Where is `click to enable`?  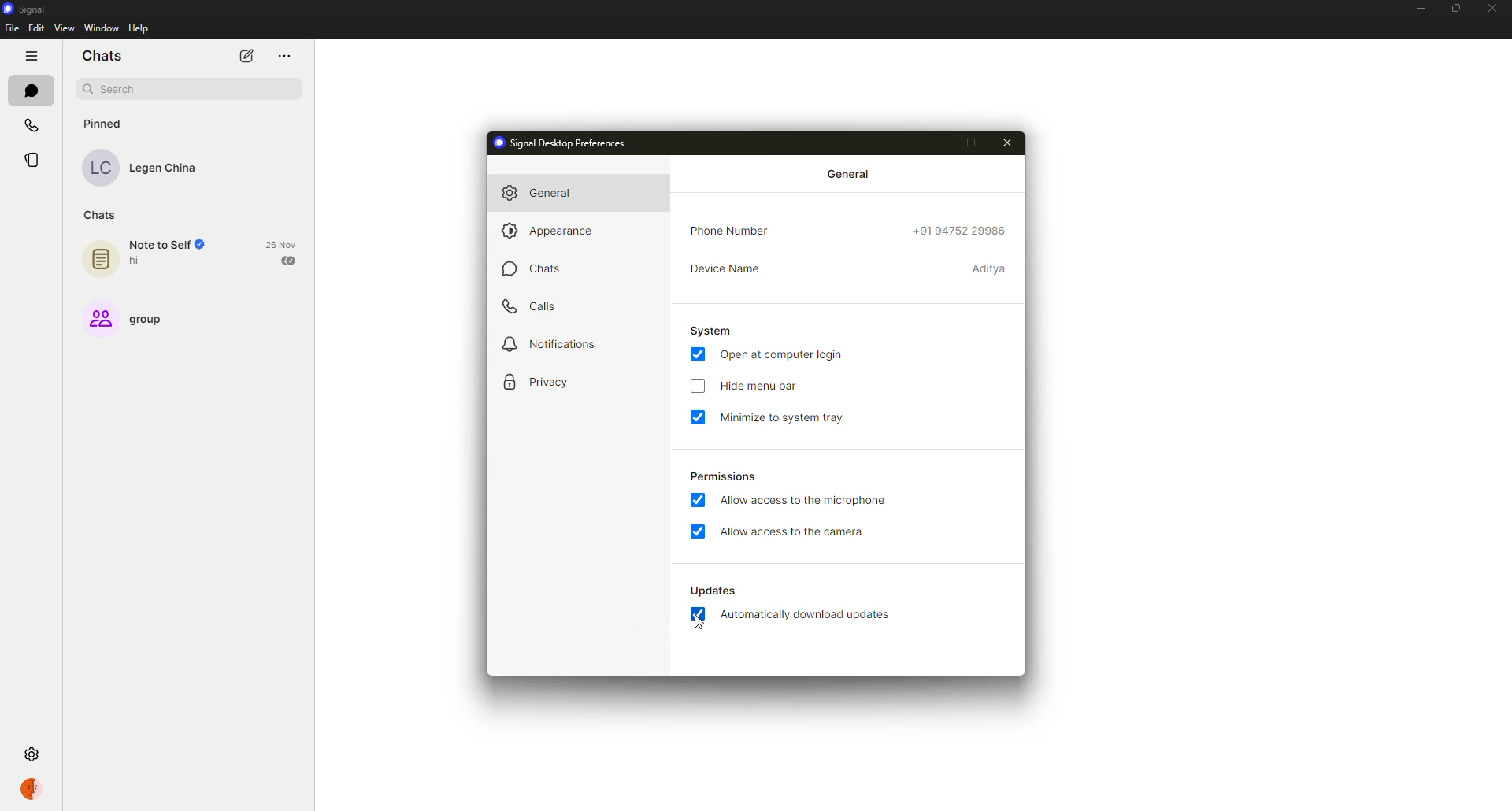
click to enable is located at coordinates (698, 386).